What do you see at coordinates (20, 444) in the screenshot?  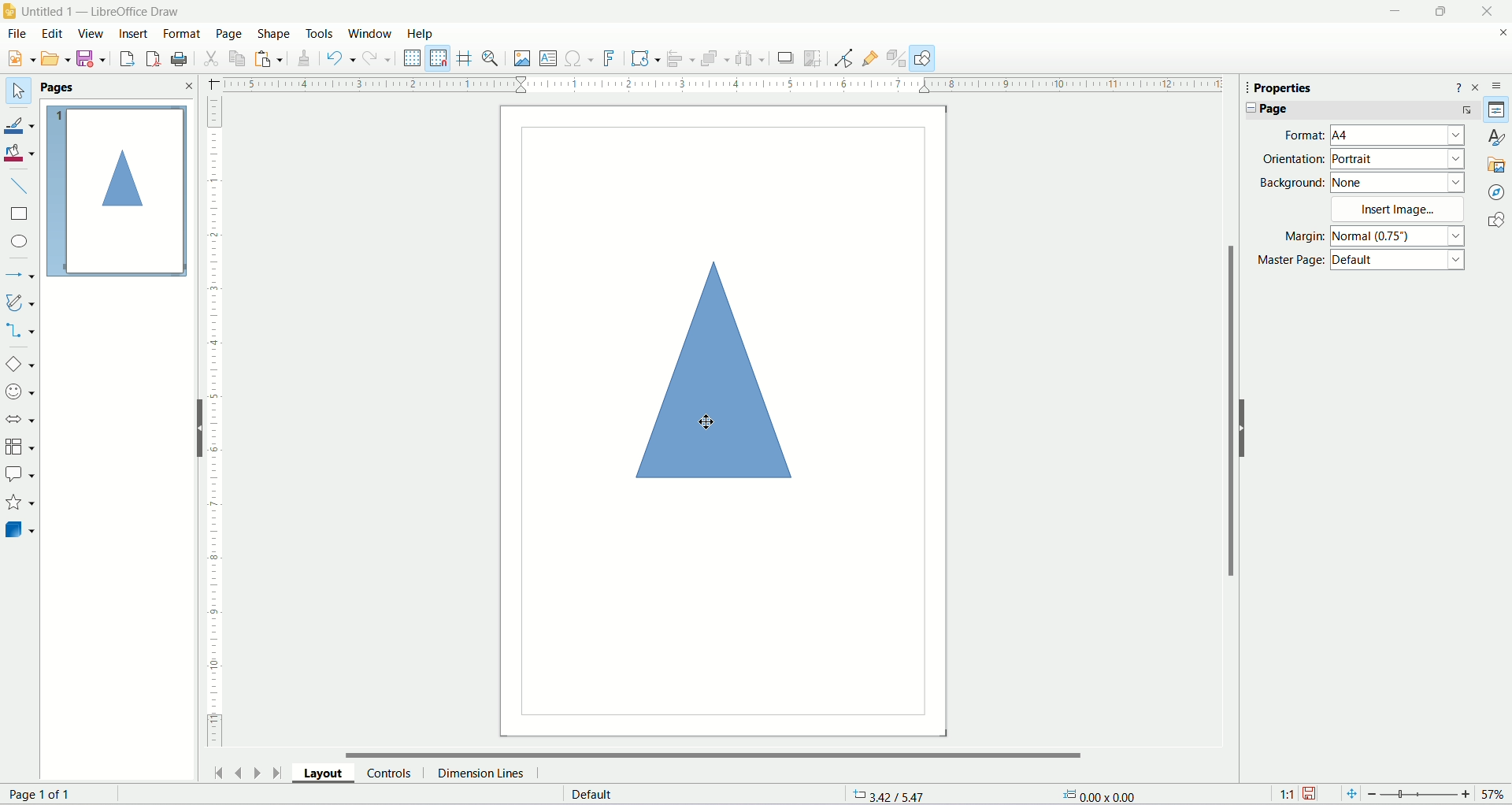 I see `Flowchart` at bounding box center [20, 444].